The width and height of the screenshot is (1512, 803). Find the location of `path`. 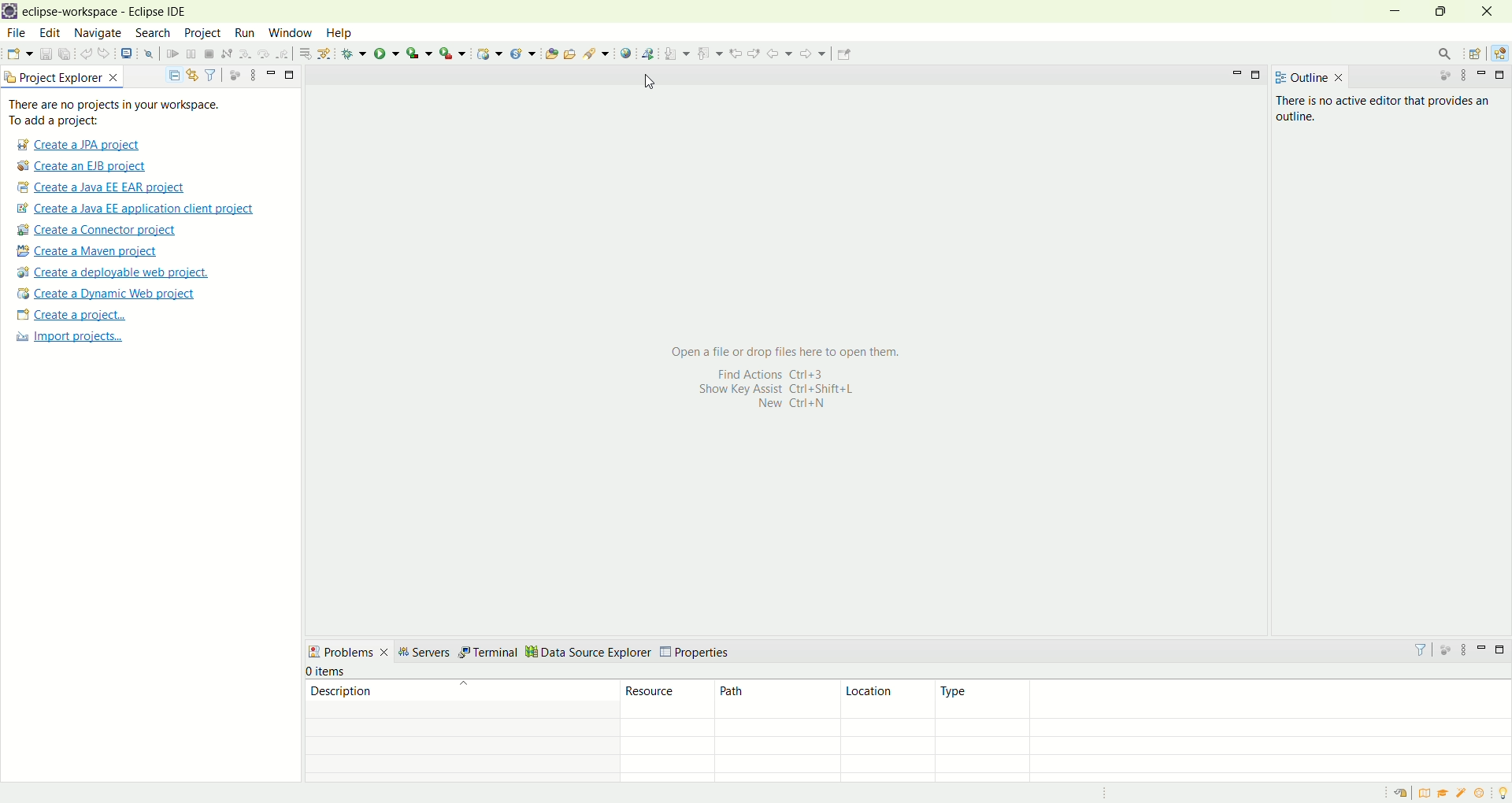

path is located at coordinates (777, 698).